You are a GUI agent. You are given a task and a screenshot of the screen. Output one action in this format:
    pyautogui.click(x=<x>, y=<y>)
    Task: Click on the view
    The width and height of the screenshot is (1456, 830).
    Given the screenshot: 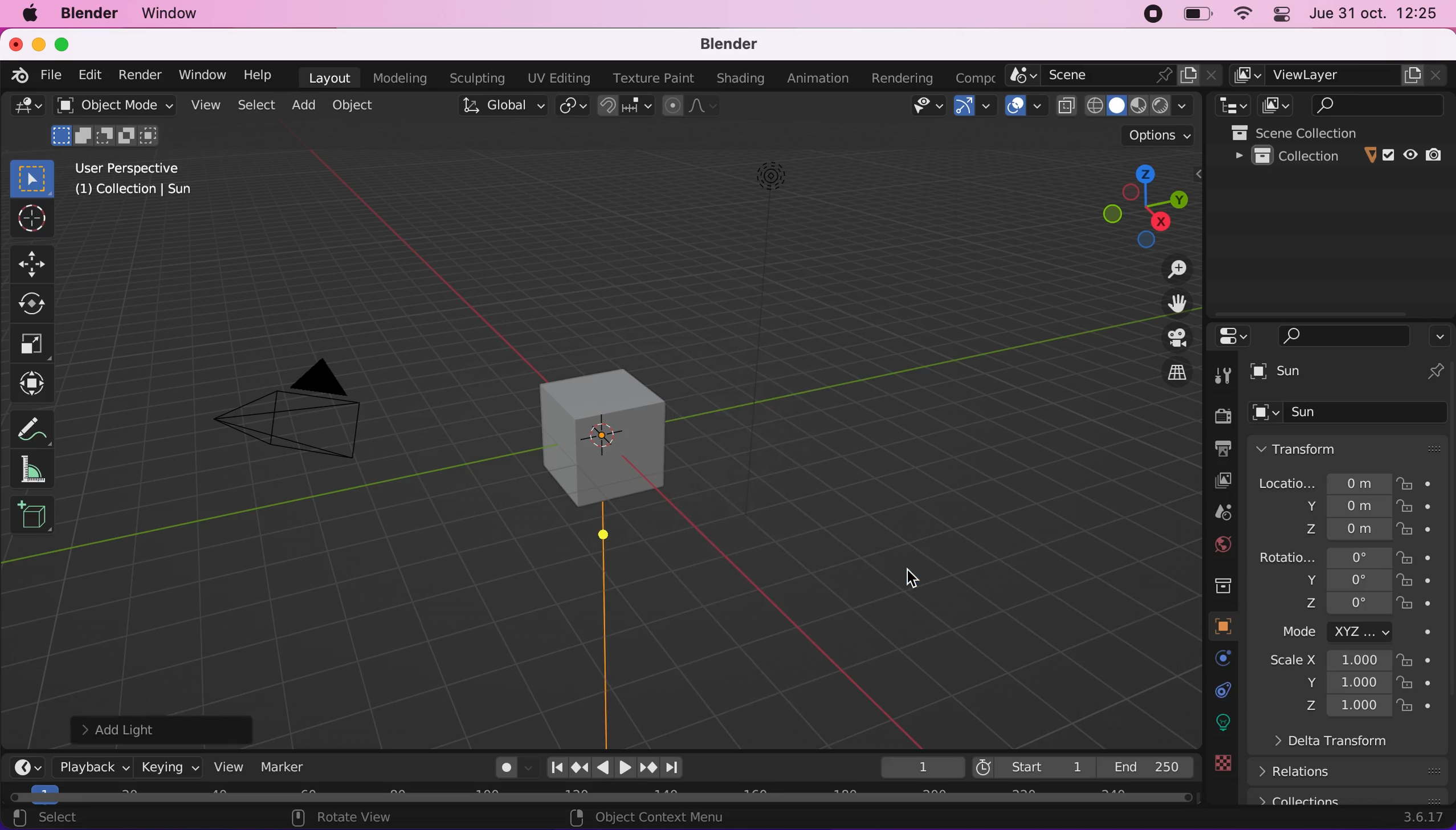 What is the action you would take?
    pyautogui.click(x=227, y=765)
    